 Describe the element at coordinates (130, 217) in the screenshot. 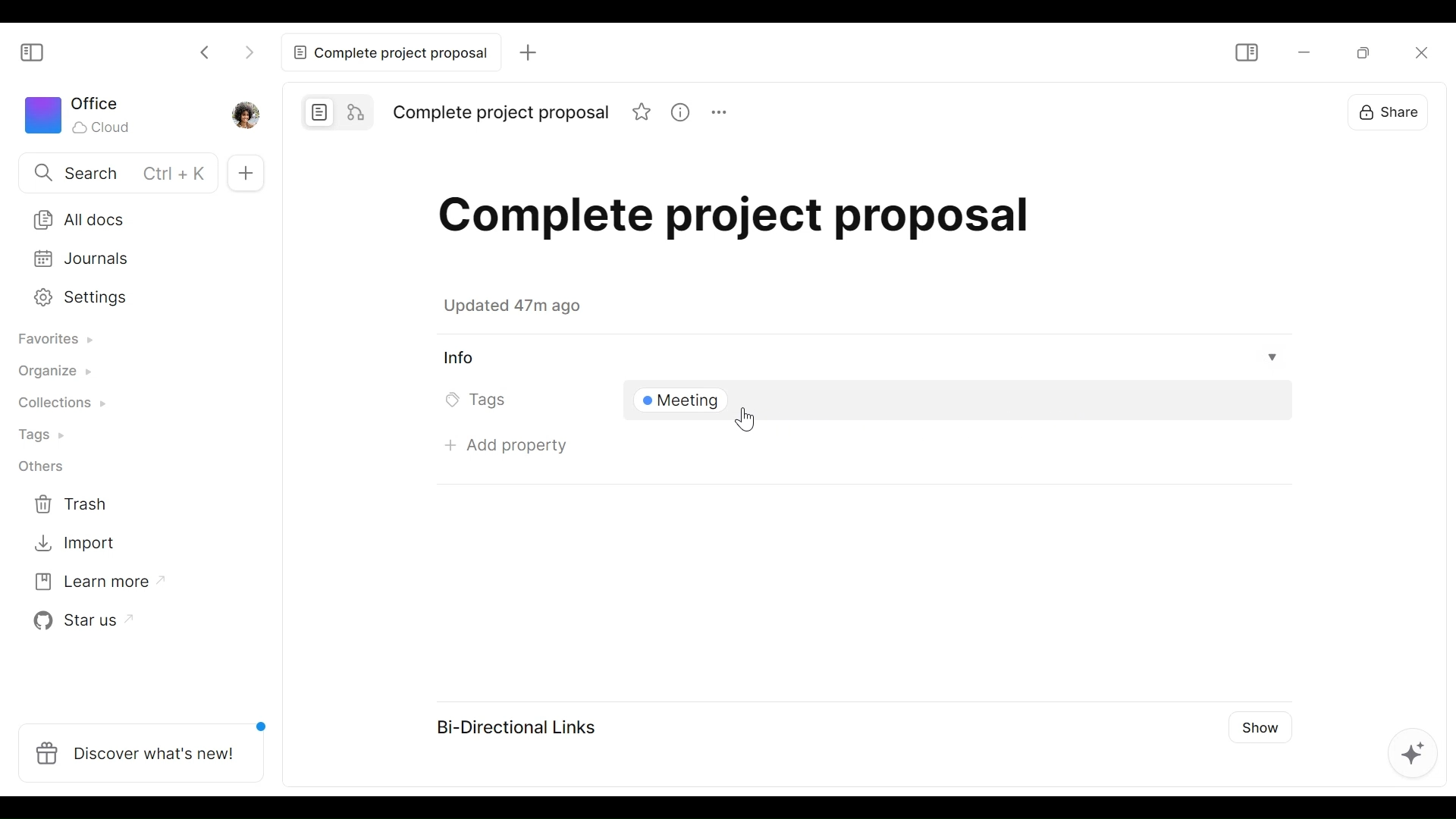

I see `All documents` at that location.